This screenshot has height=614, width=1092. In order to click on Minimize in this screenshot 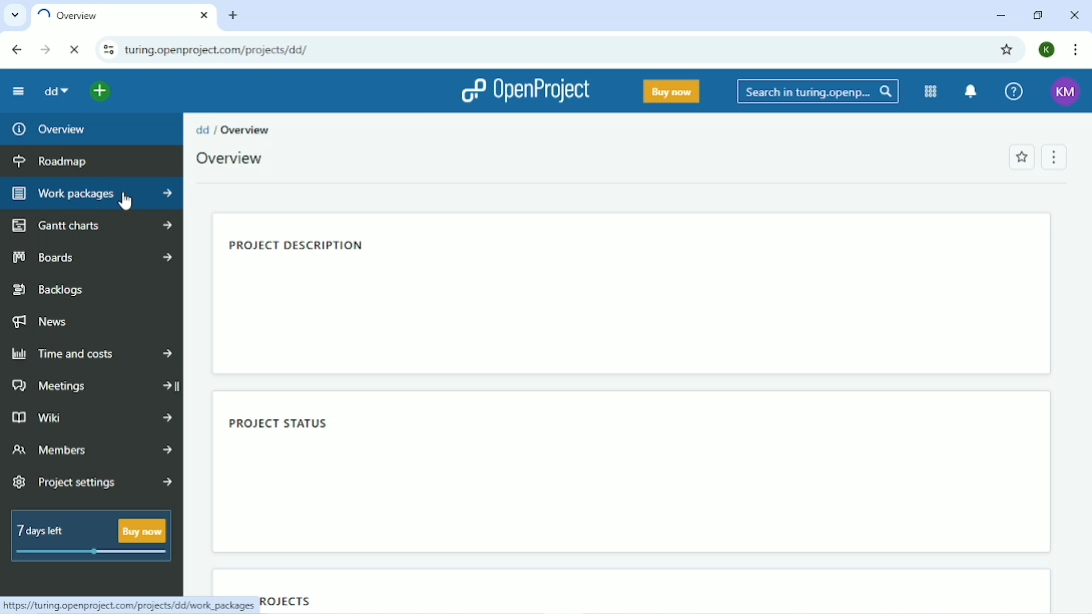, I will do `click(1000, 14)`.